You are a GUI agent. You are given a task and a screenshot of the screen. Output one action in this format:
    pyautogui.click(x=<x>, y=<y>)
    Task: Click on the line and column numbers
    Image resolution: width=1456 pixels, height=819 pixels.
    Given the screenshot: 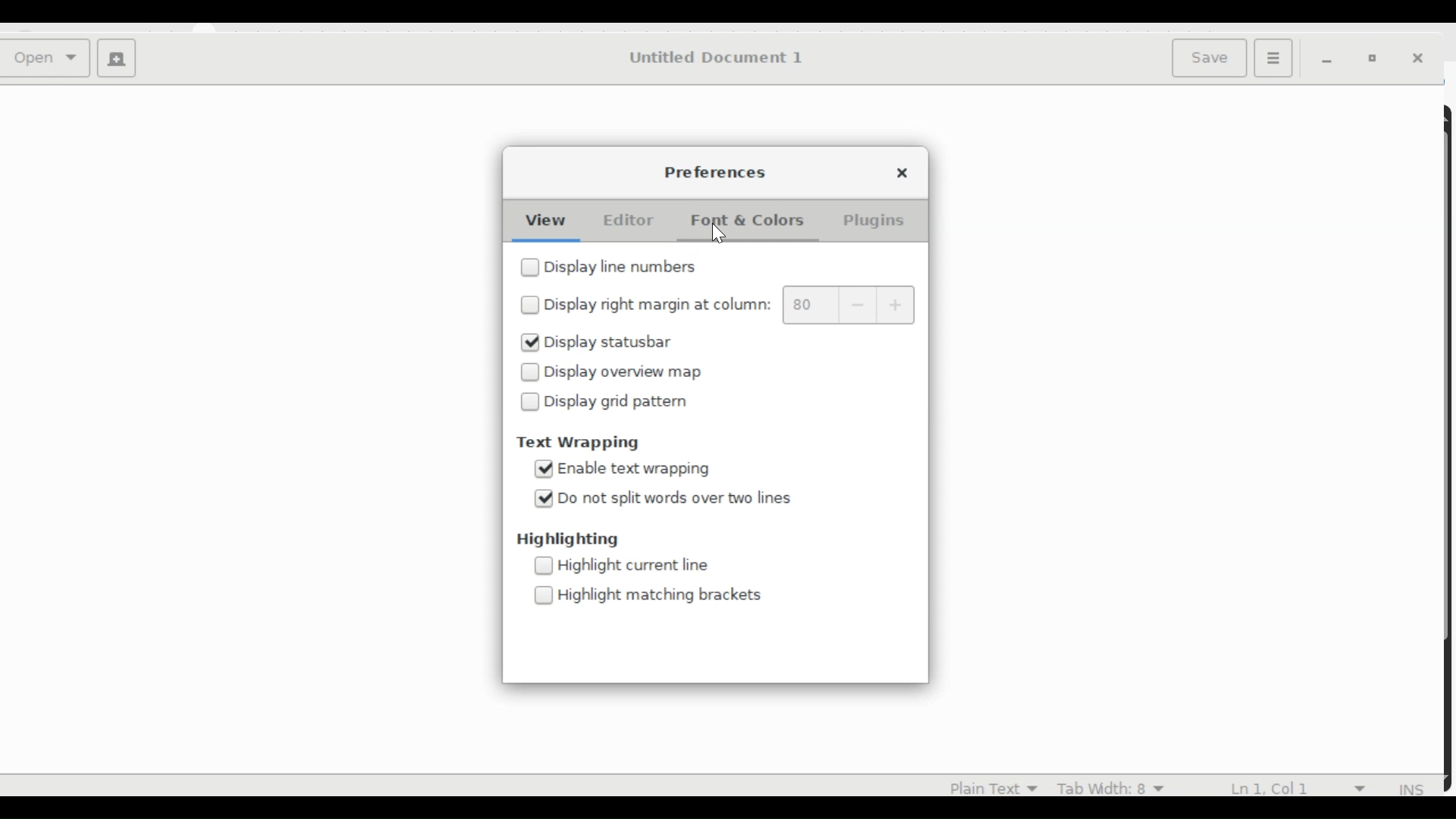 What is the action you would take?
    pyautogui.click(x=1302, y=786)
    